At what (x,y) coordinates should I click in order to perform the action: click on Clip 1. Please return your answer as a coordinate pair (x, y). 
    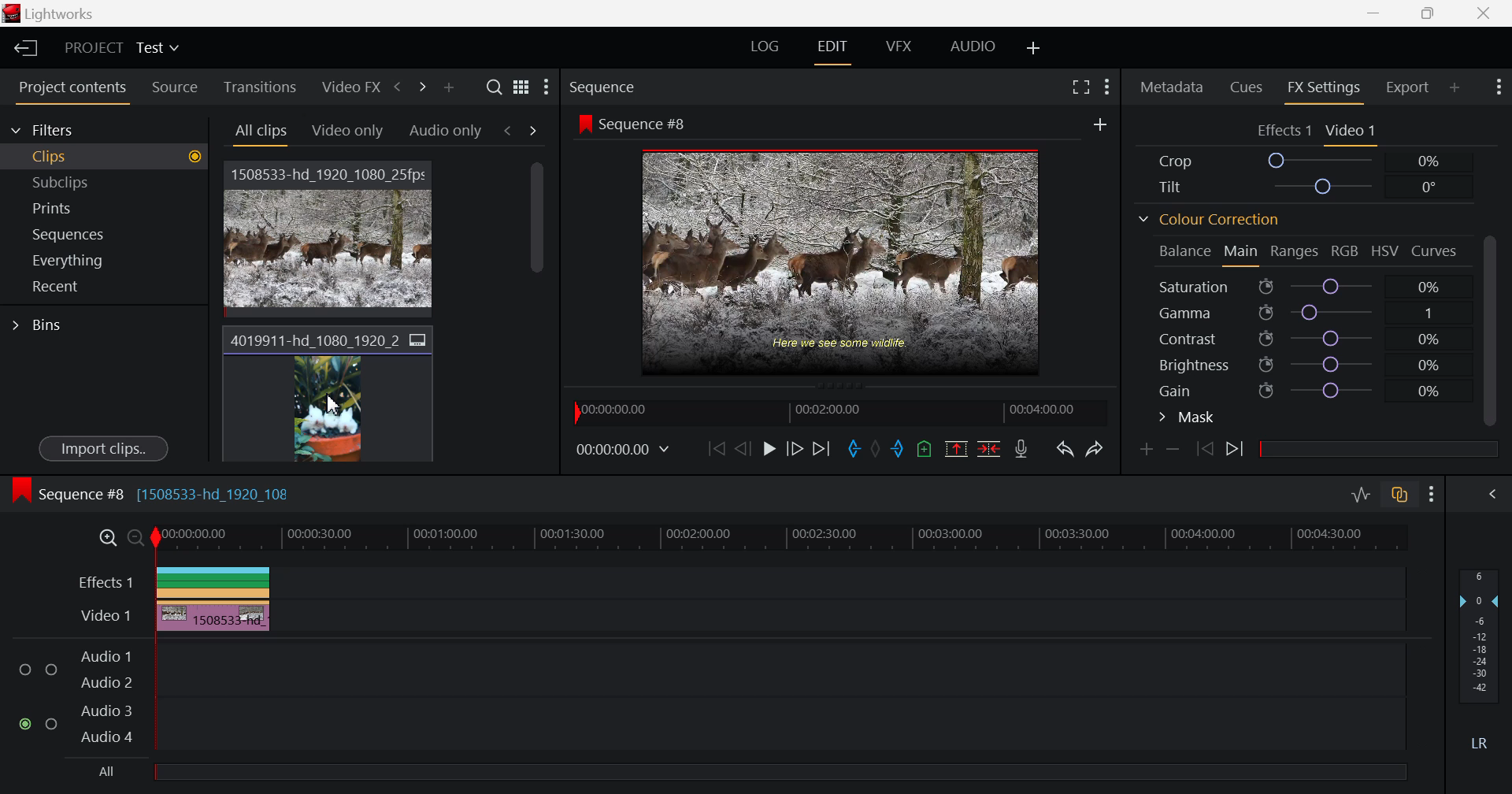
    Looking at the image, I should click on (334, 235).